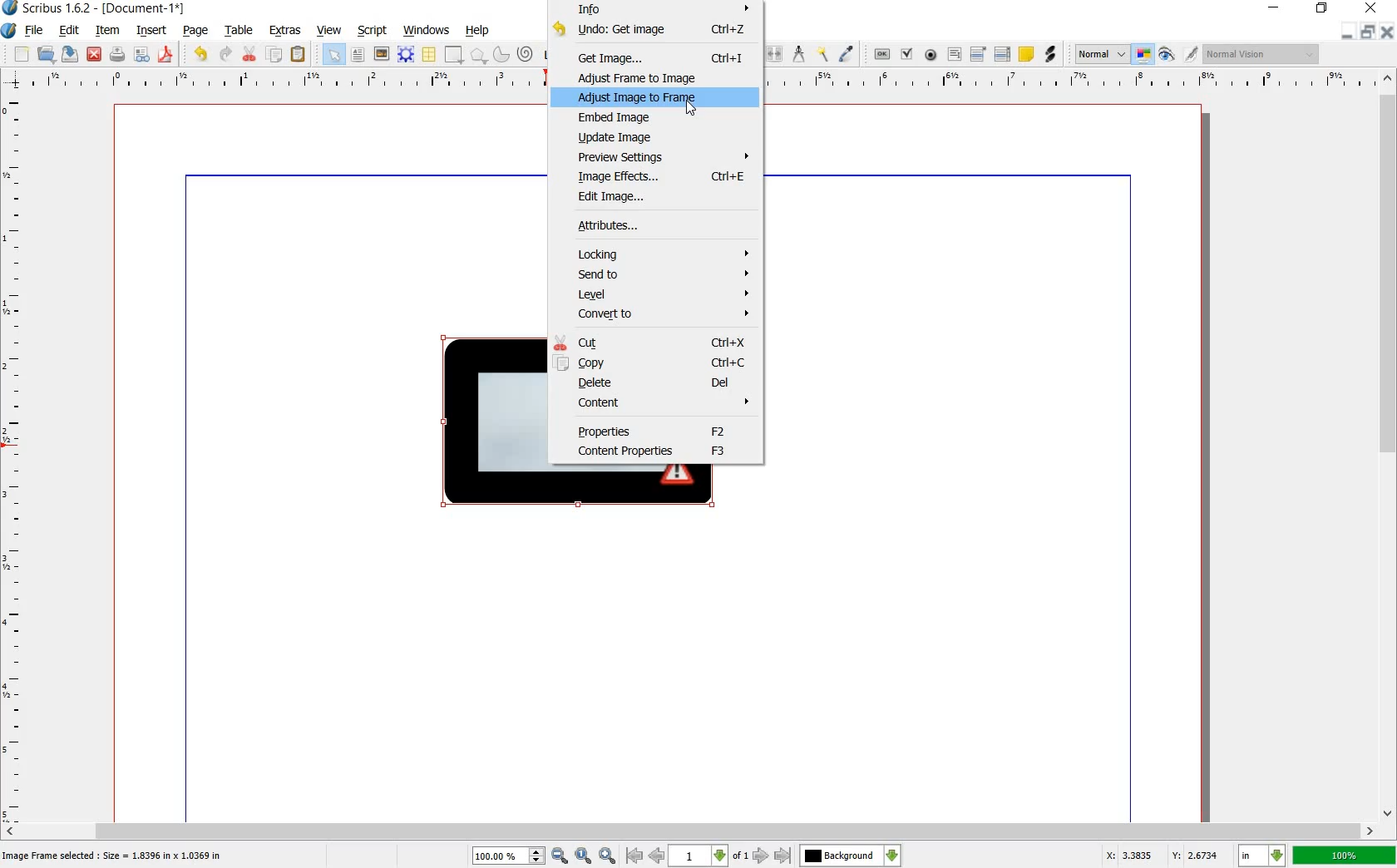 The height and width of the screenshot is (868, 1397). I want to click on arc, so click(499, 55).